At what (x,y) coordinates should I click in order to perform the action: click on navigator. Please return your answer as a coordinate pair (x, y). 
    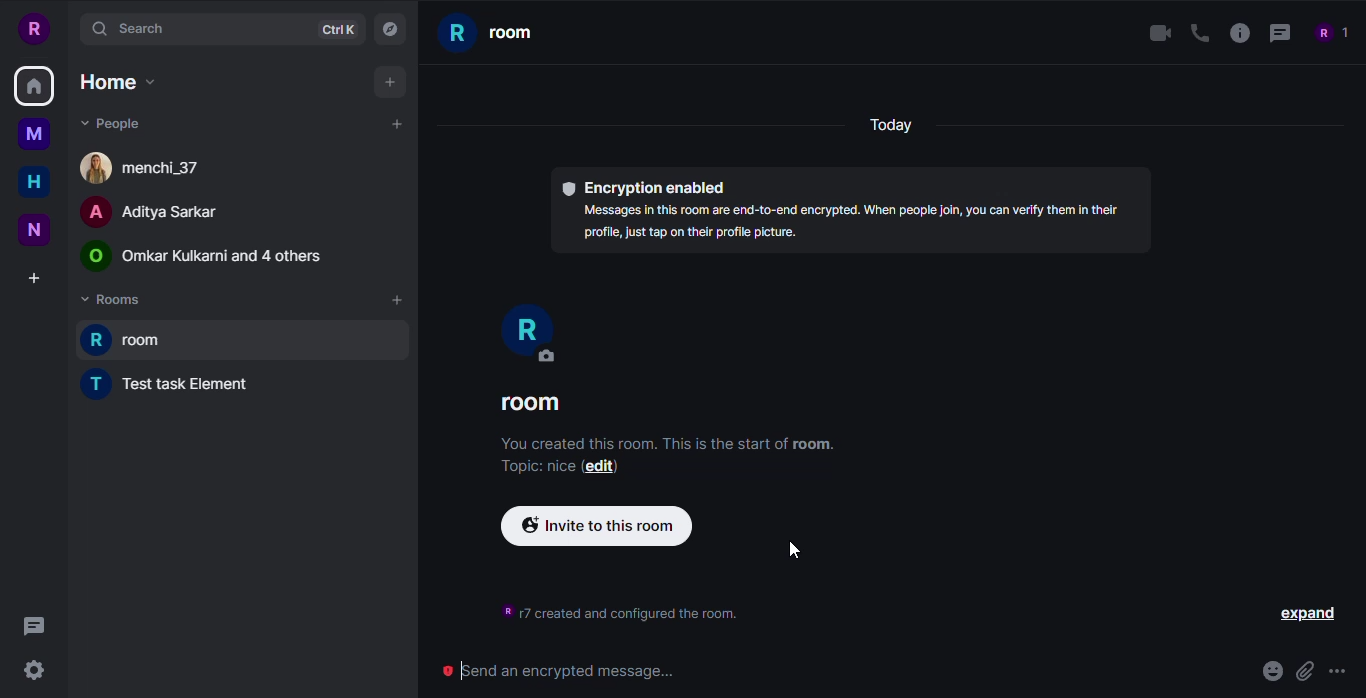
    Looking at the image, I should click on (390, 30).